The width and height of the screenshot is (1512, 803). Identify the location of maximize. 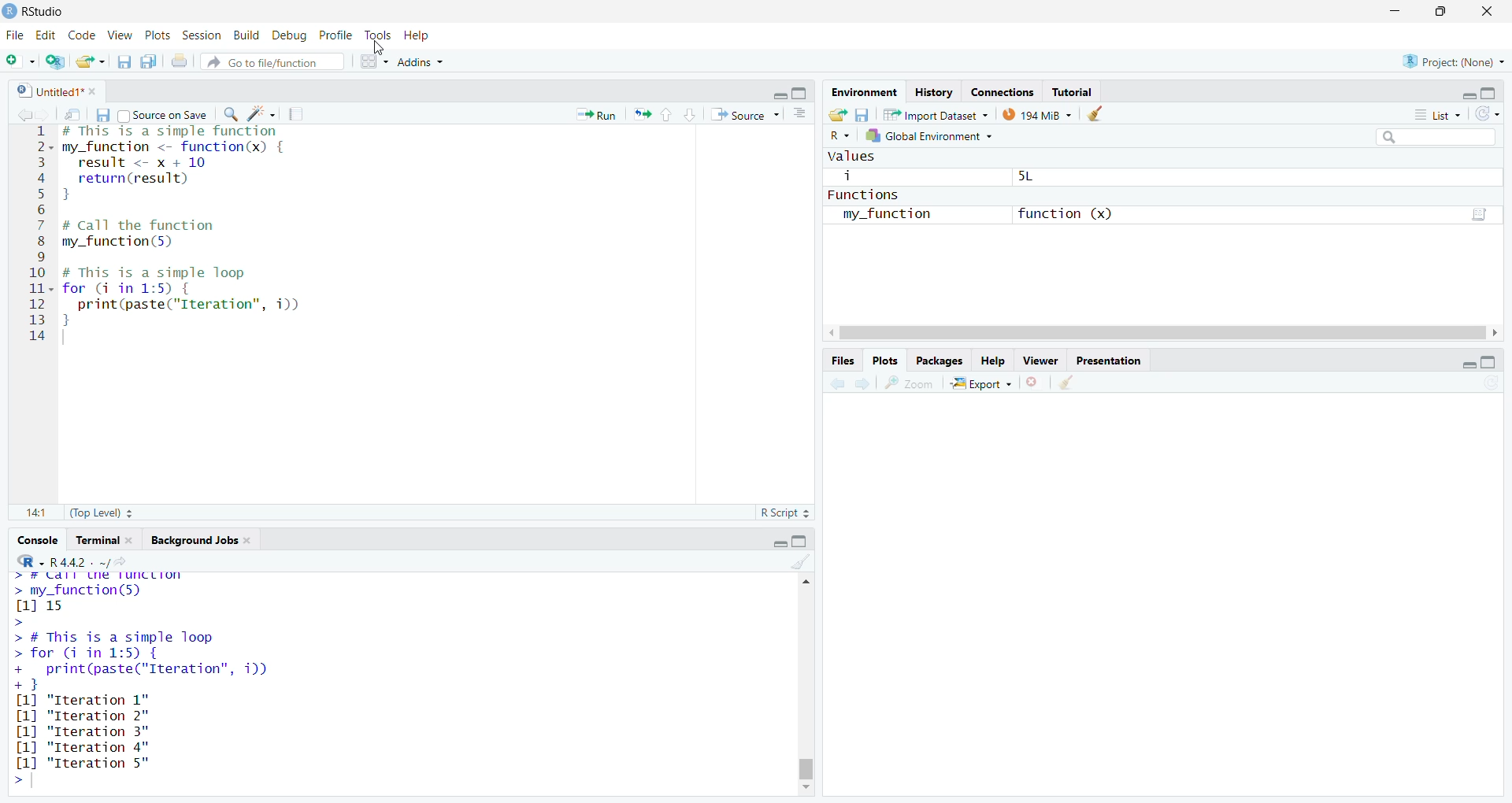
(1496, 90).